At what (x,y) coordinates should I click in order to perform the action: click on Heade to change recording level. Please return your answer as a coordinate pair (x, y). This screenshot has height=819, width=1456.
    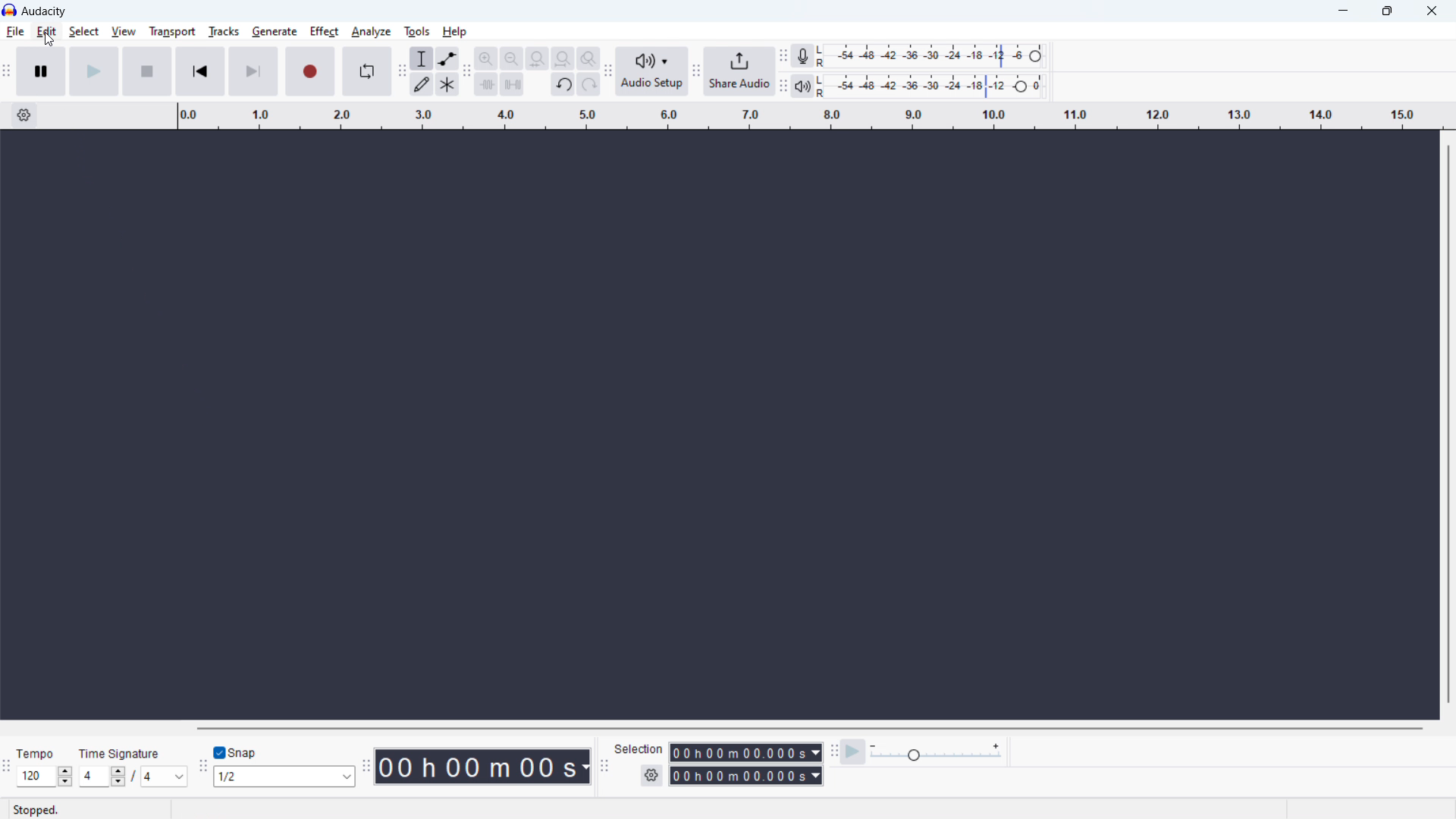
    Looking at the image, I should click on (1035, 56).